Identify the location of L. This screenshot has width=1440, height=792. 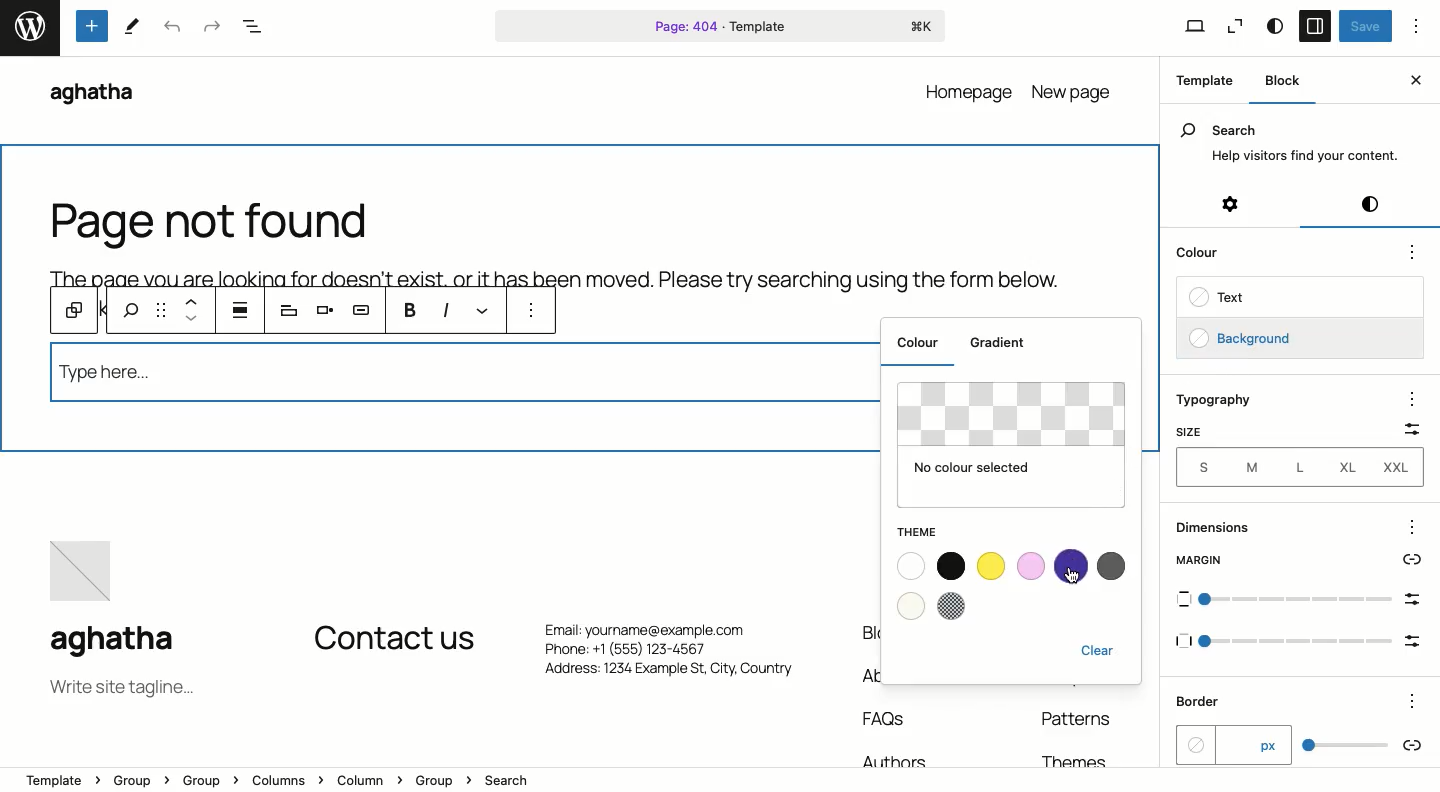
(1300, 466).